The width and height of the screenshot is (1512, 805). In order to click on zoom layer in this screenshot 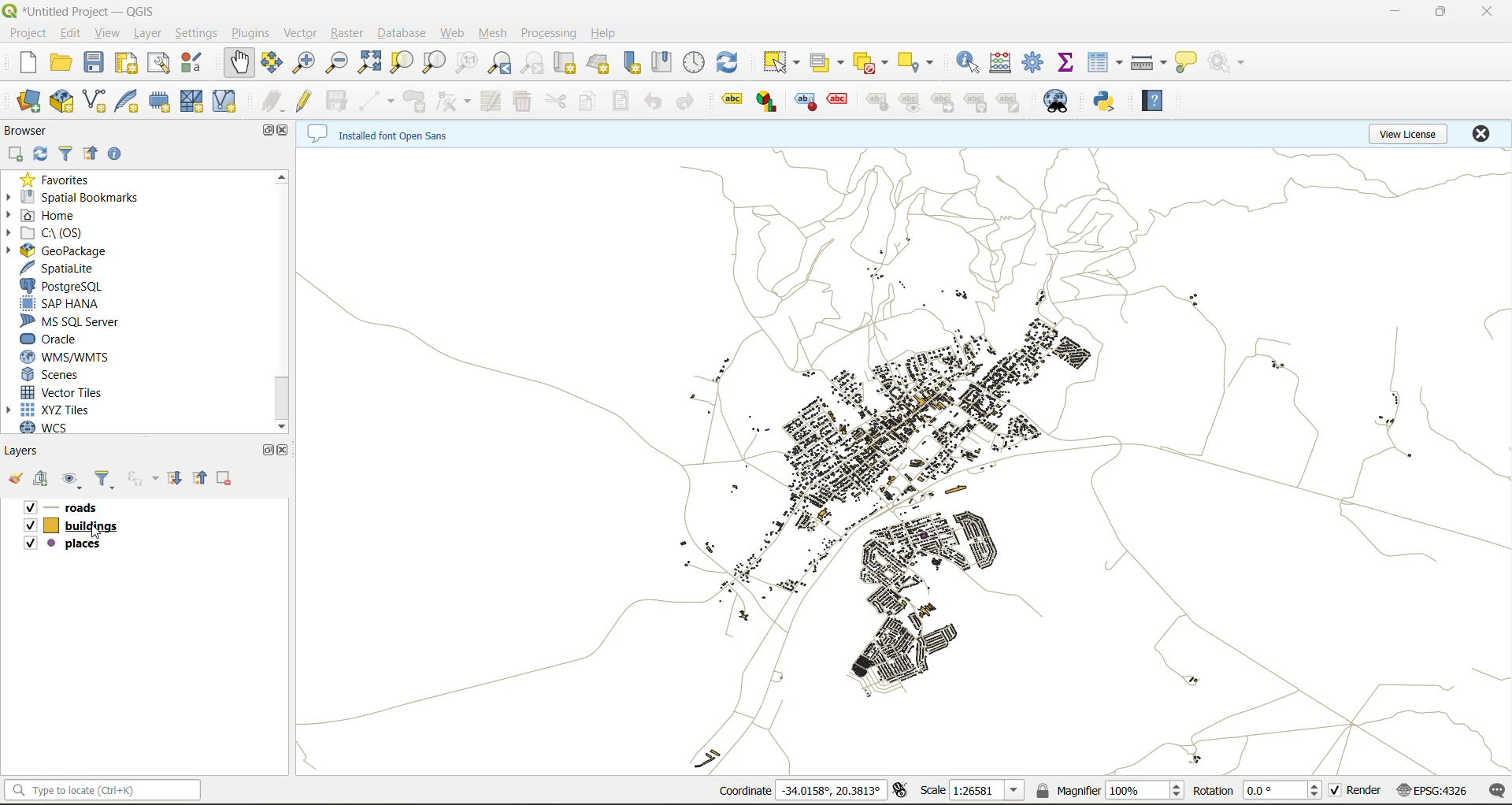, I will do `click(433, 63)`.